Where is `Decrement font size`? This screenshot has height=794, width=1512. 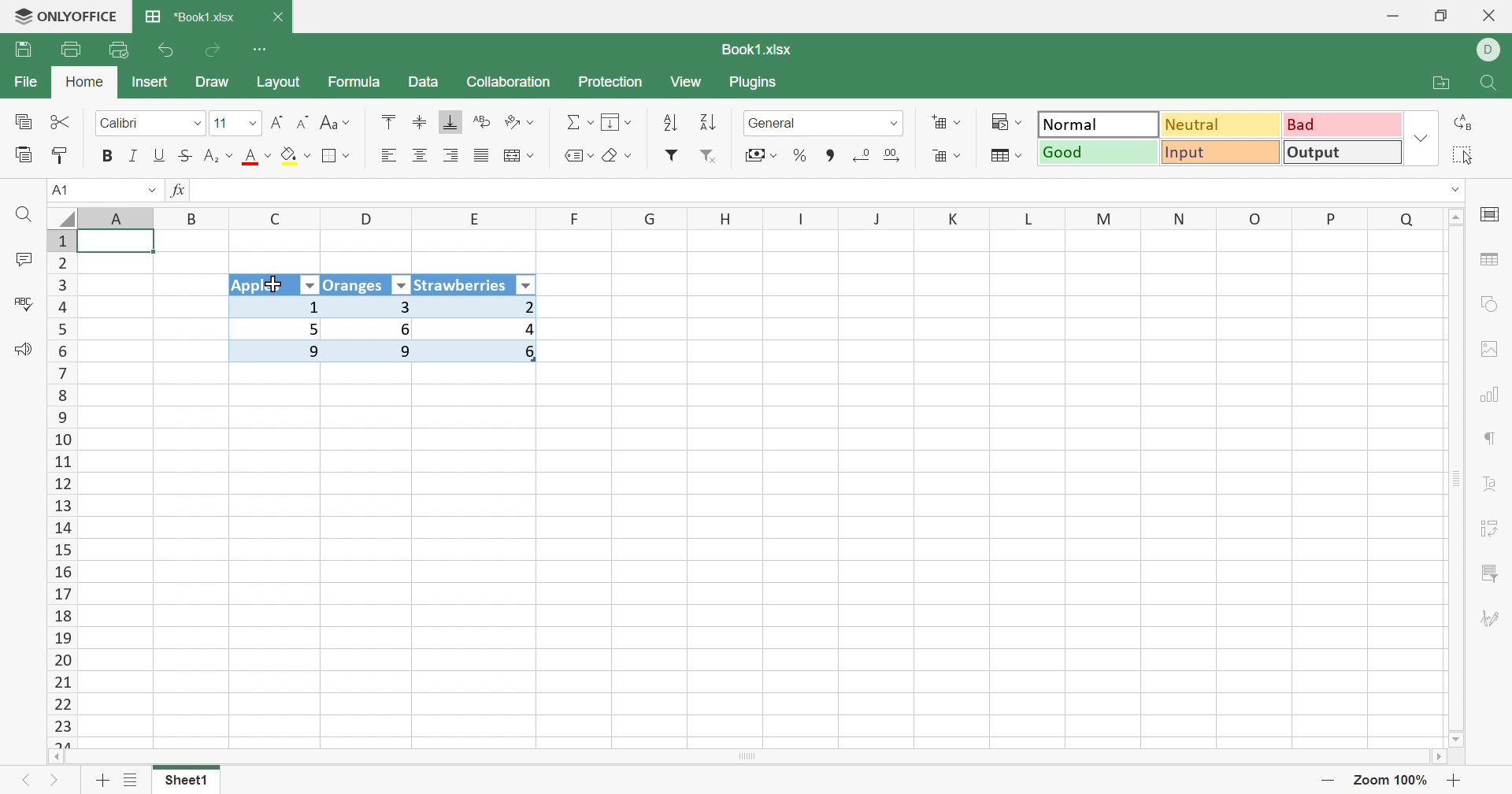 Decrement font size is located at coordinates (303, 123).